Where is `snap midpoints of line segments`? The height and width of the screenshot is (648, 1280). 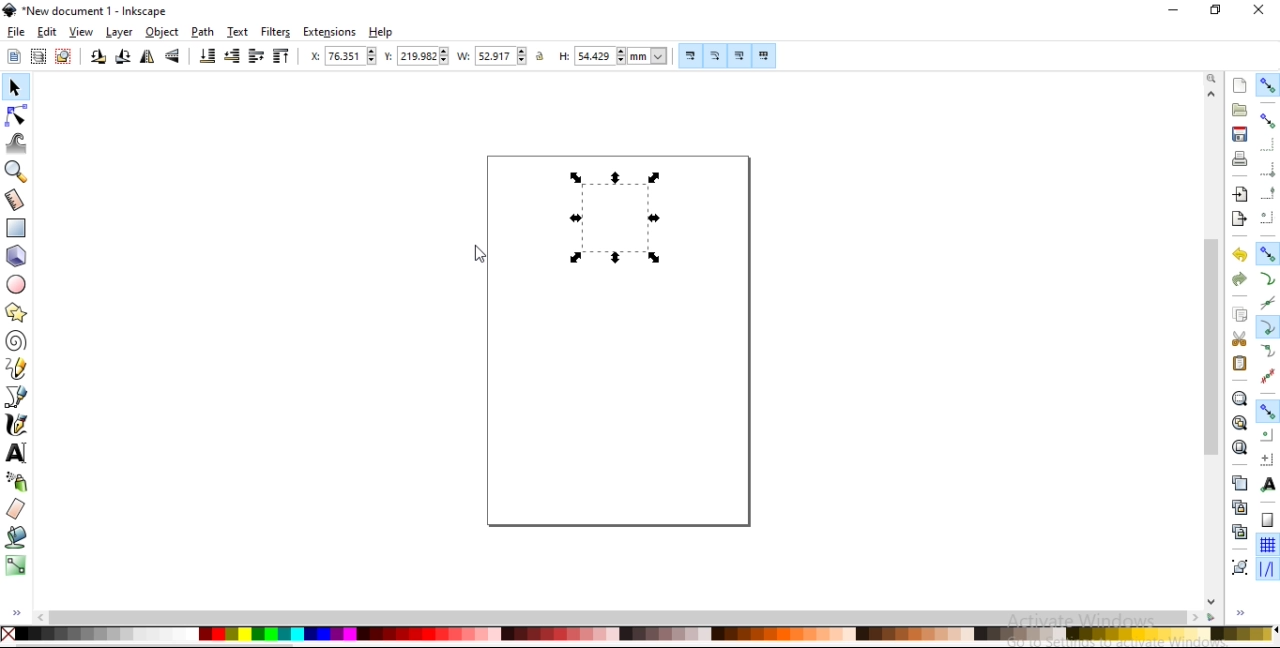 snap midpoints of line segments is located at coordinates (1267, 375).